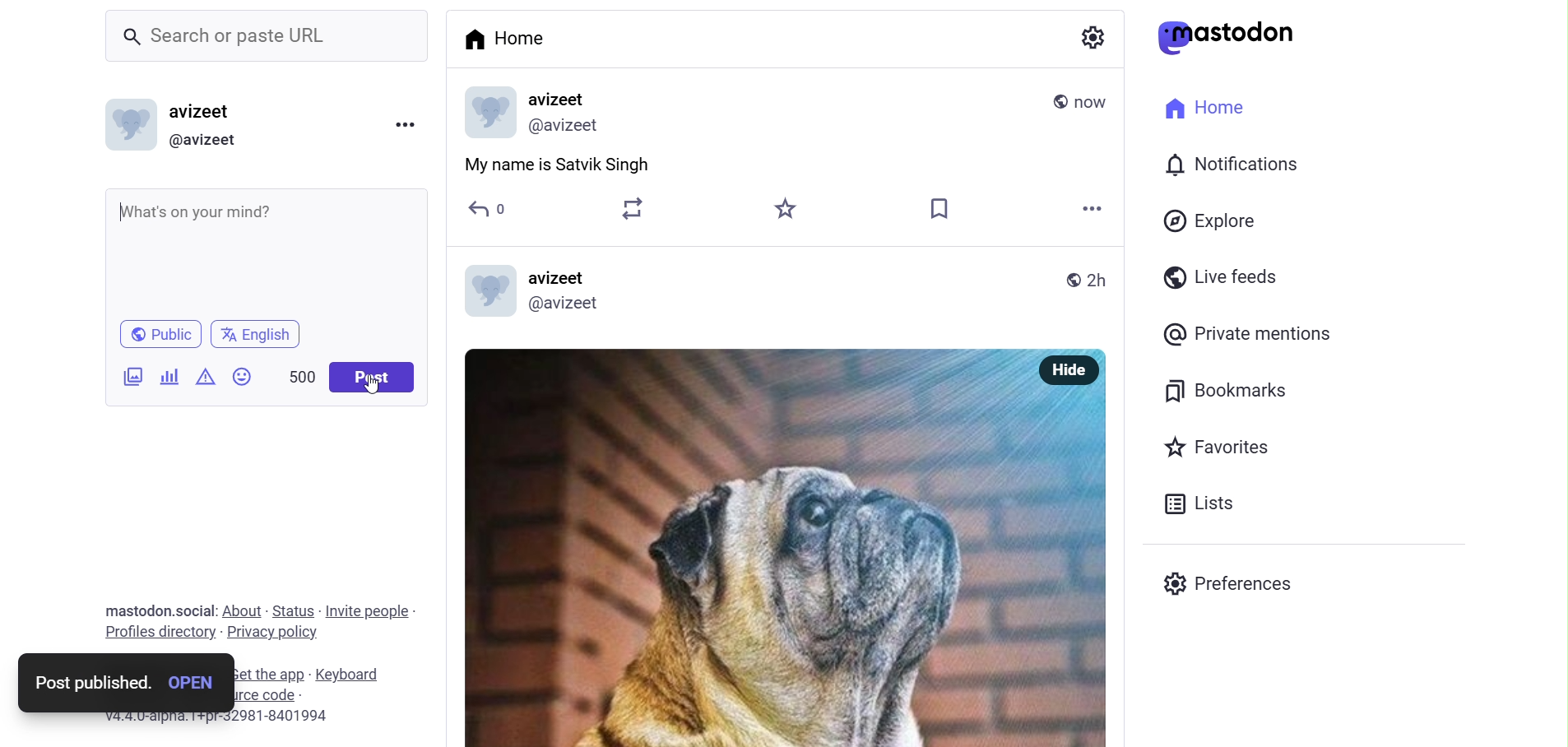 Image resolution: width=1568 pixels, height=747 pixels. Describe the element at coordinates (1236, 165) in the screenshot. I see `Notifications` at that location.